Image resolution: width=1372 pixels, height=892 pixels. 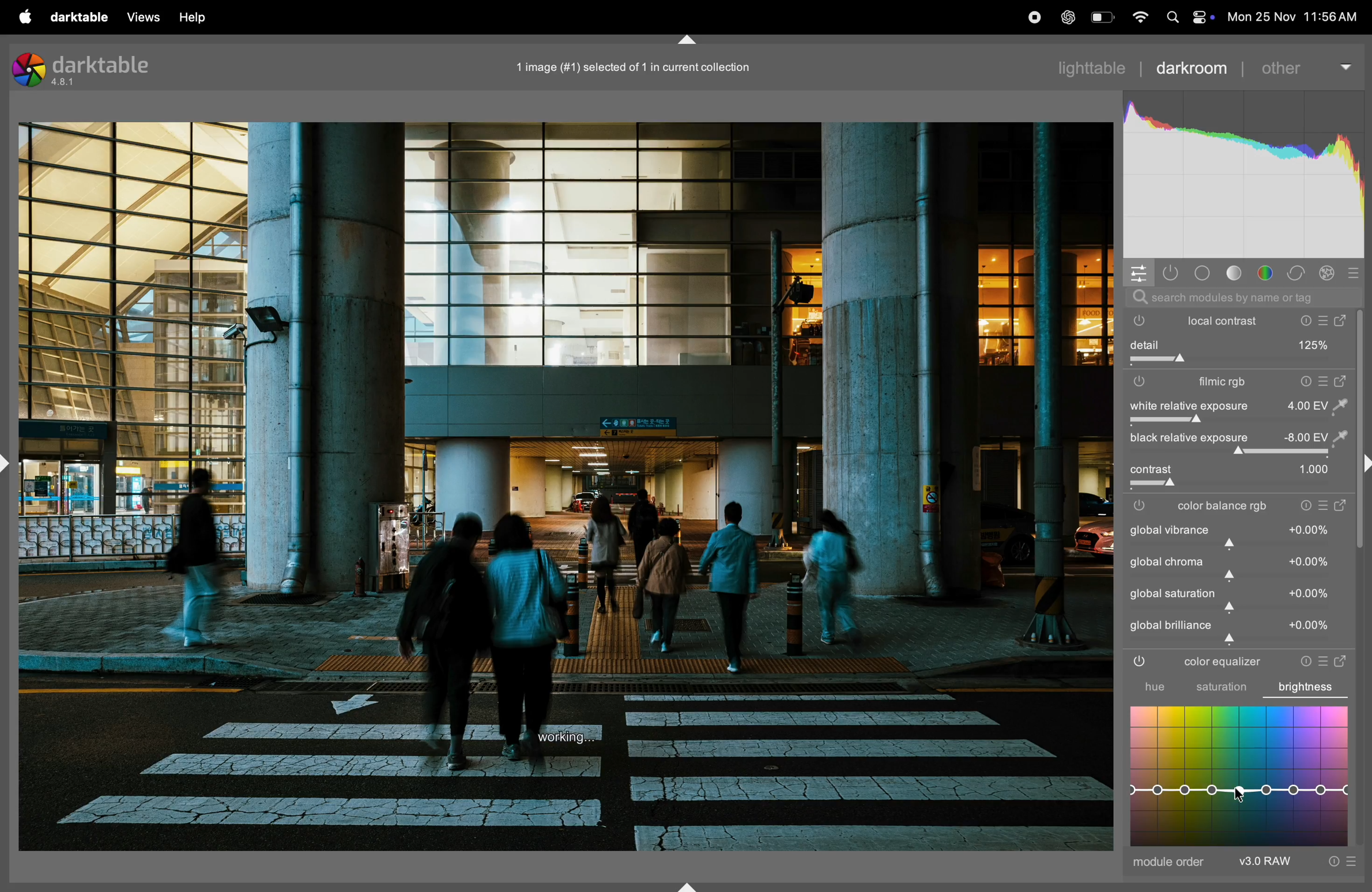 I want to click on mns, so click(x=1243, y=175).